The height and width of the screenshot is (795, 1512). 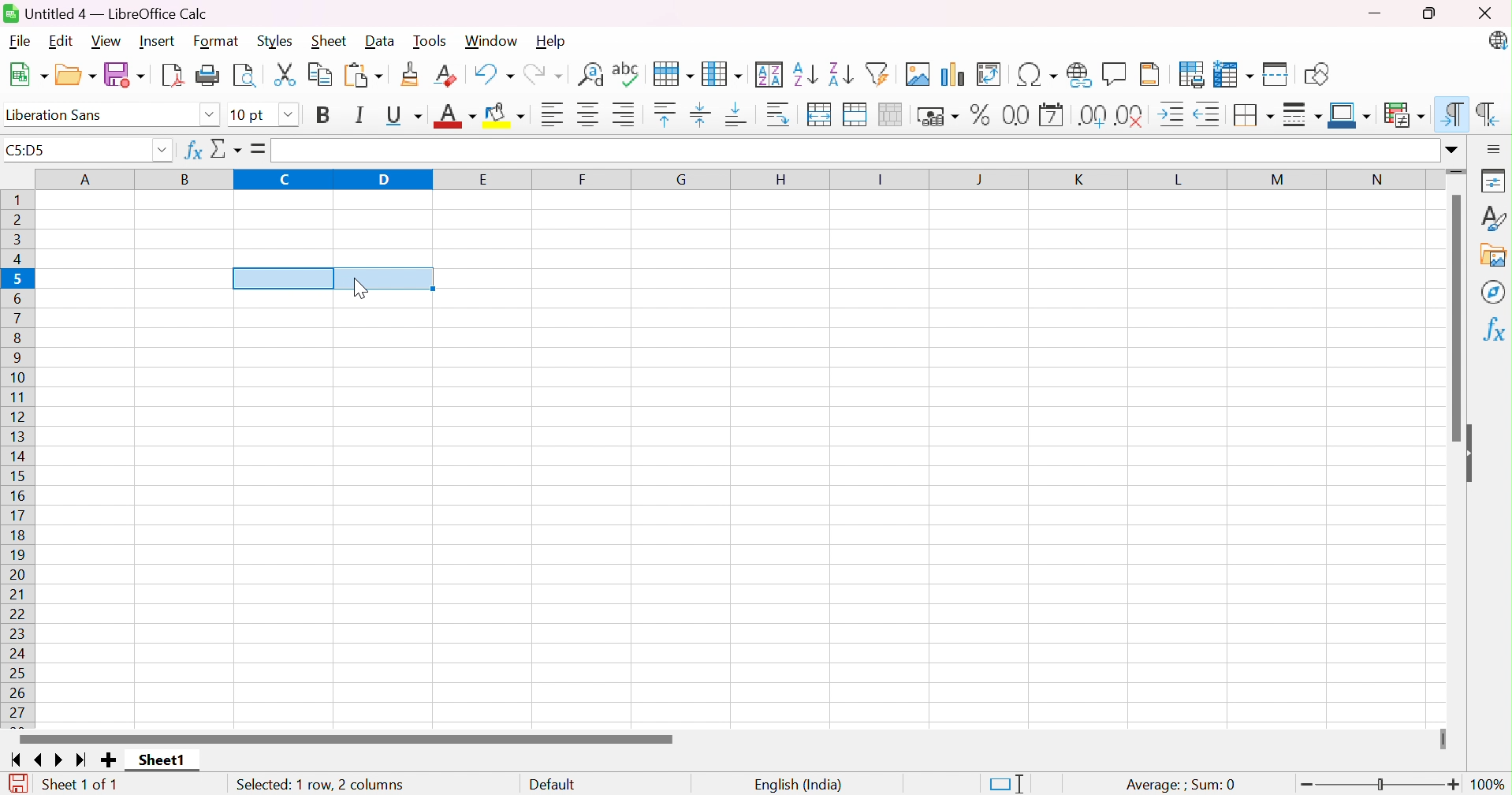 What do you see at coordinates (1277, 73) in the screenshot?
I see `Split Window` at bounding box center [1277, 73].